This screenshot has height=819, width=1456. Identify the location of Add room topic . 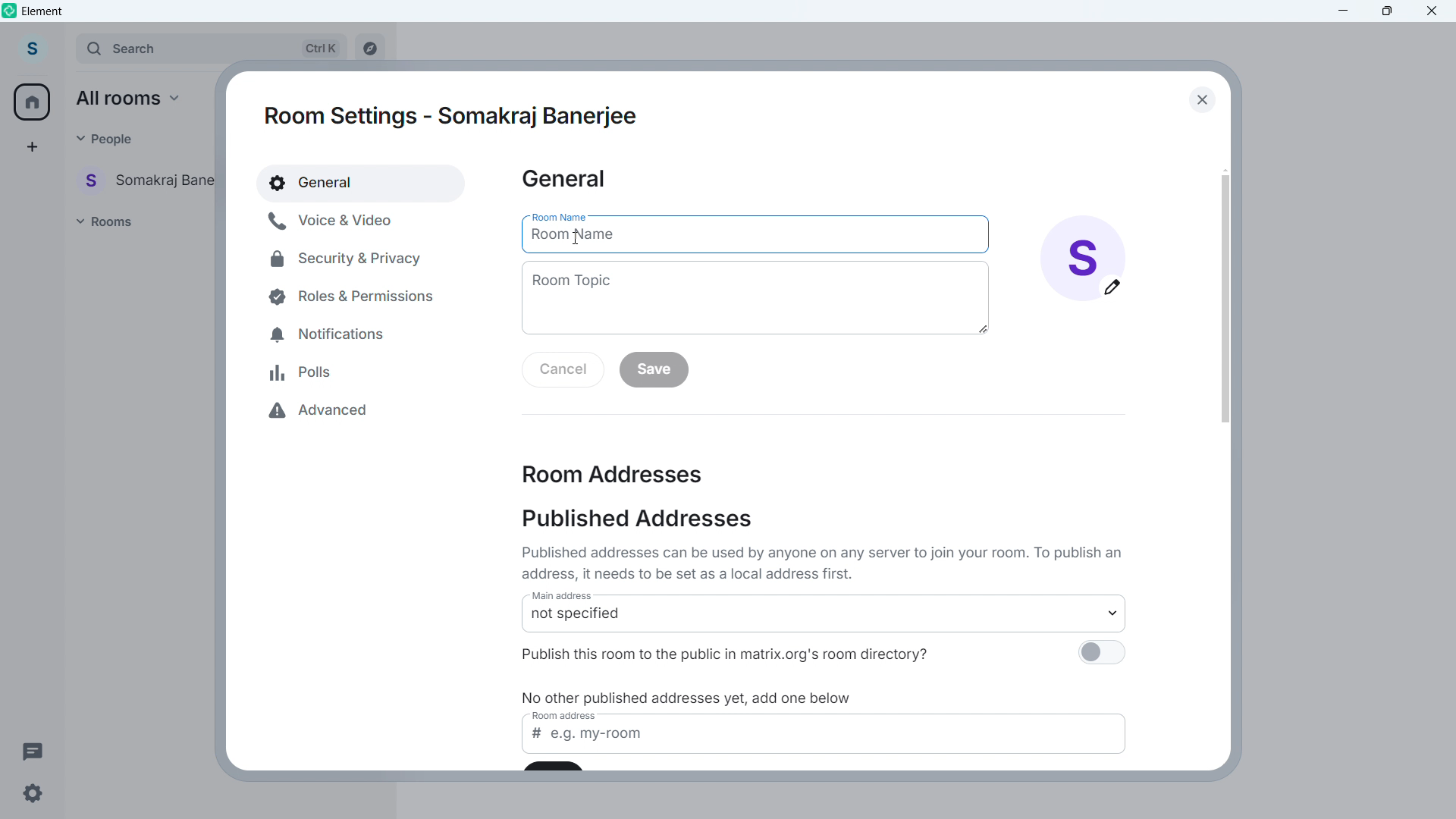
(755, 298).